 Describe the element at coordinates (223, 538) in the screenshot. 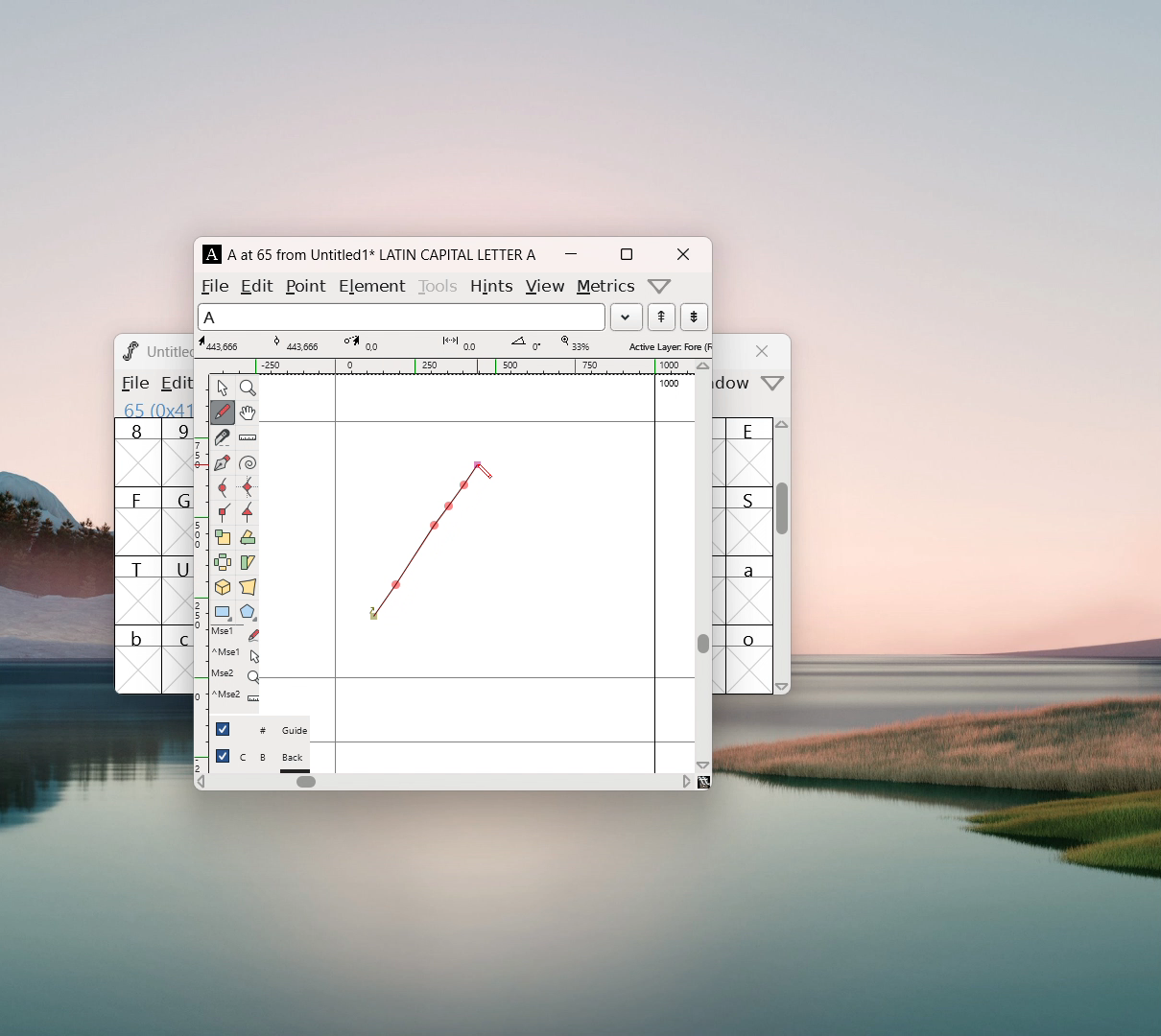

I see `scale the selection` at that location.